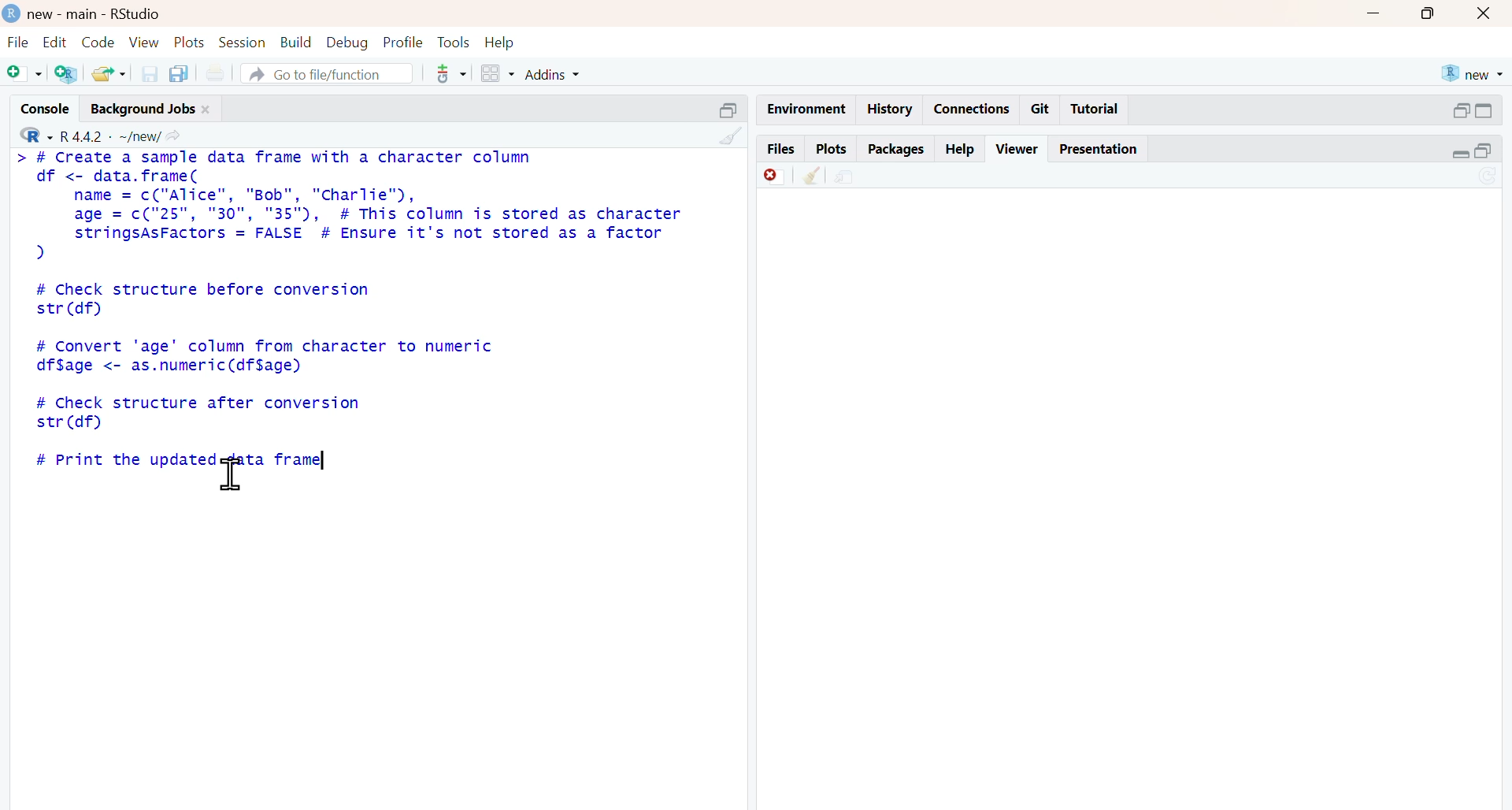 This screenshot has width=1512, height=810. What do you see at coordinates (782, 150) in the screenshot?
I see `files` at bounding box center [782, 150].